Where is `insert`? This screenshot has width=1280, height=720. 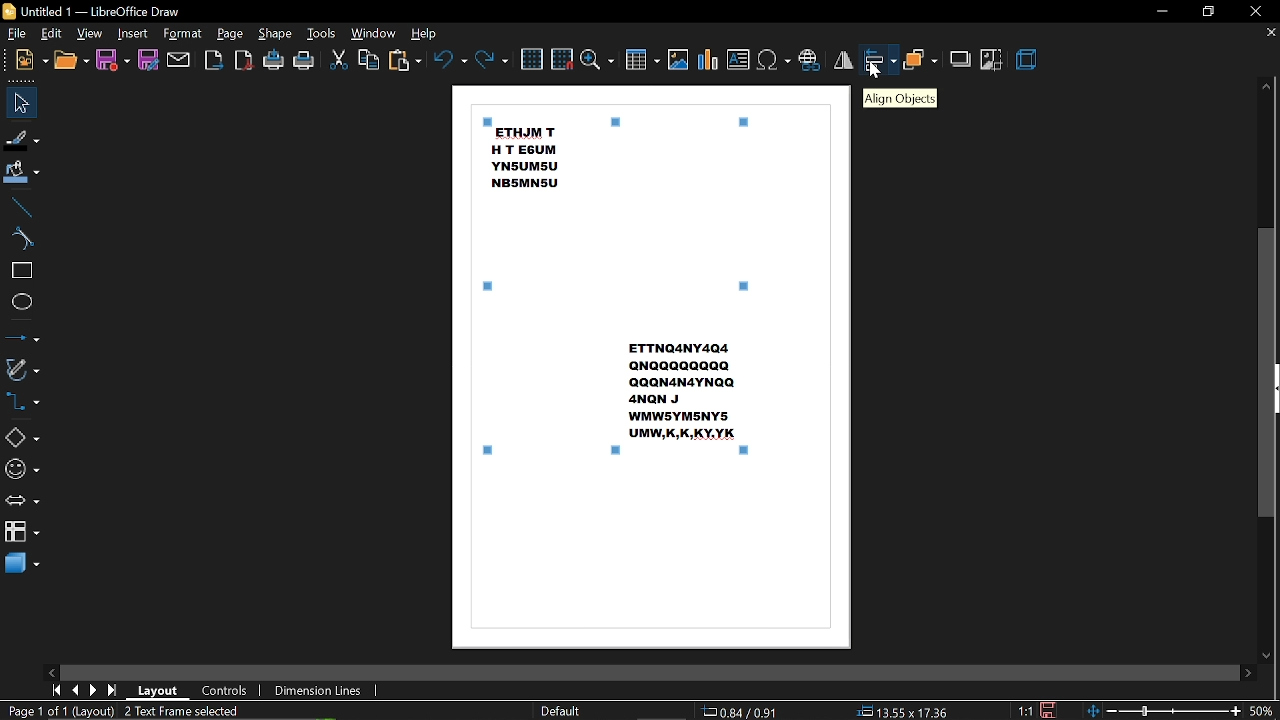
insert is located at coordinates (133, 34).